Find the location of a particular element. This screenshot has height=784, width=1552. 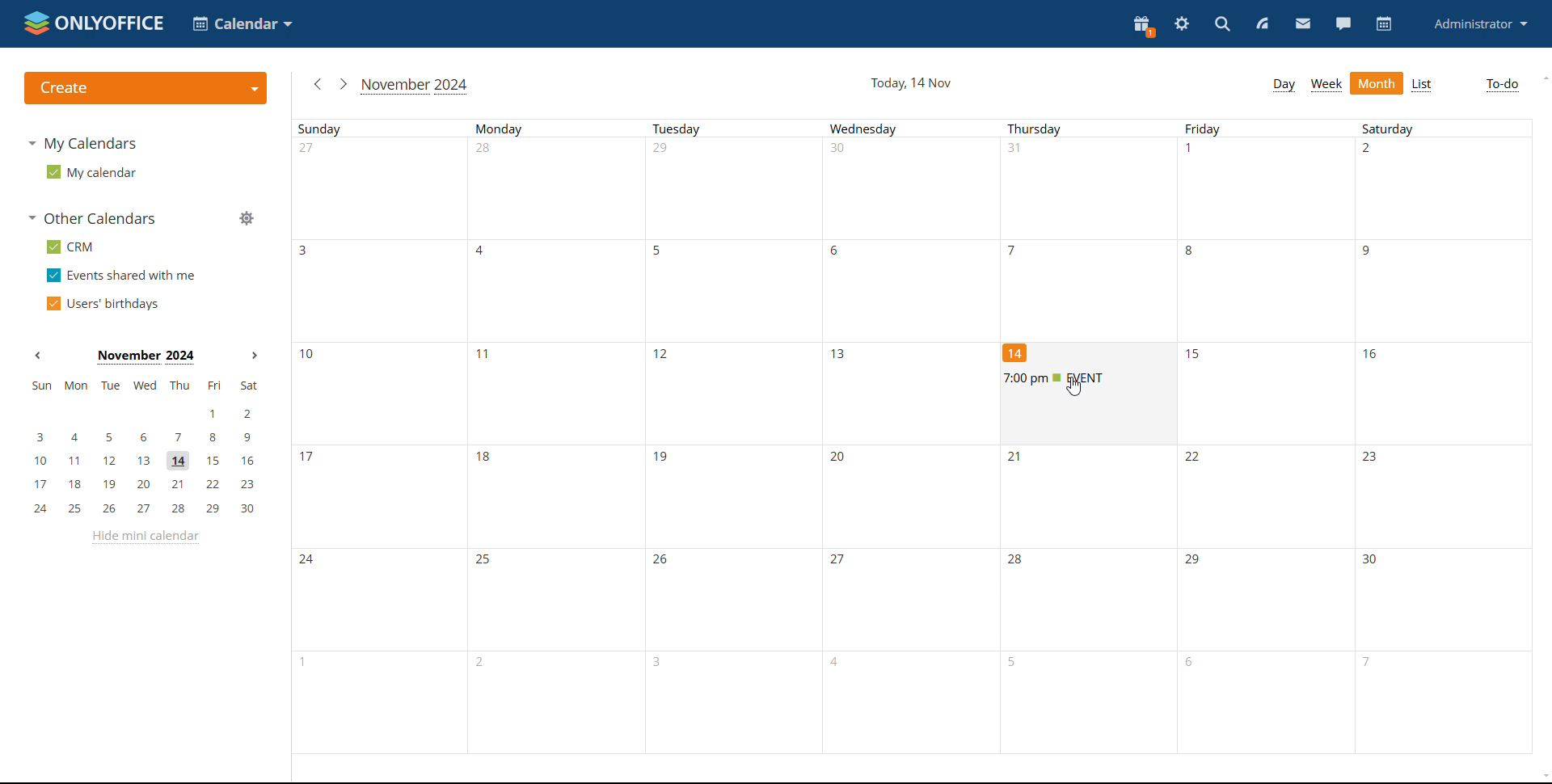

current date is located at coordinates (909, 81).